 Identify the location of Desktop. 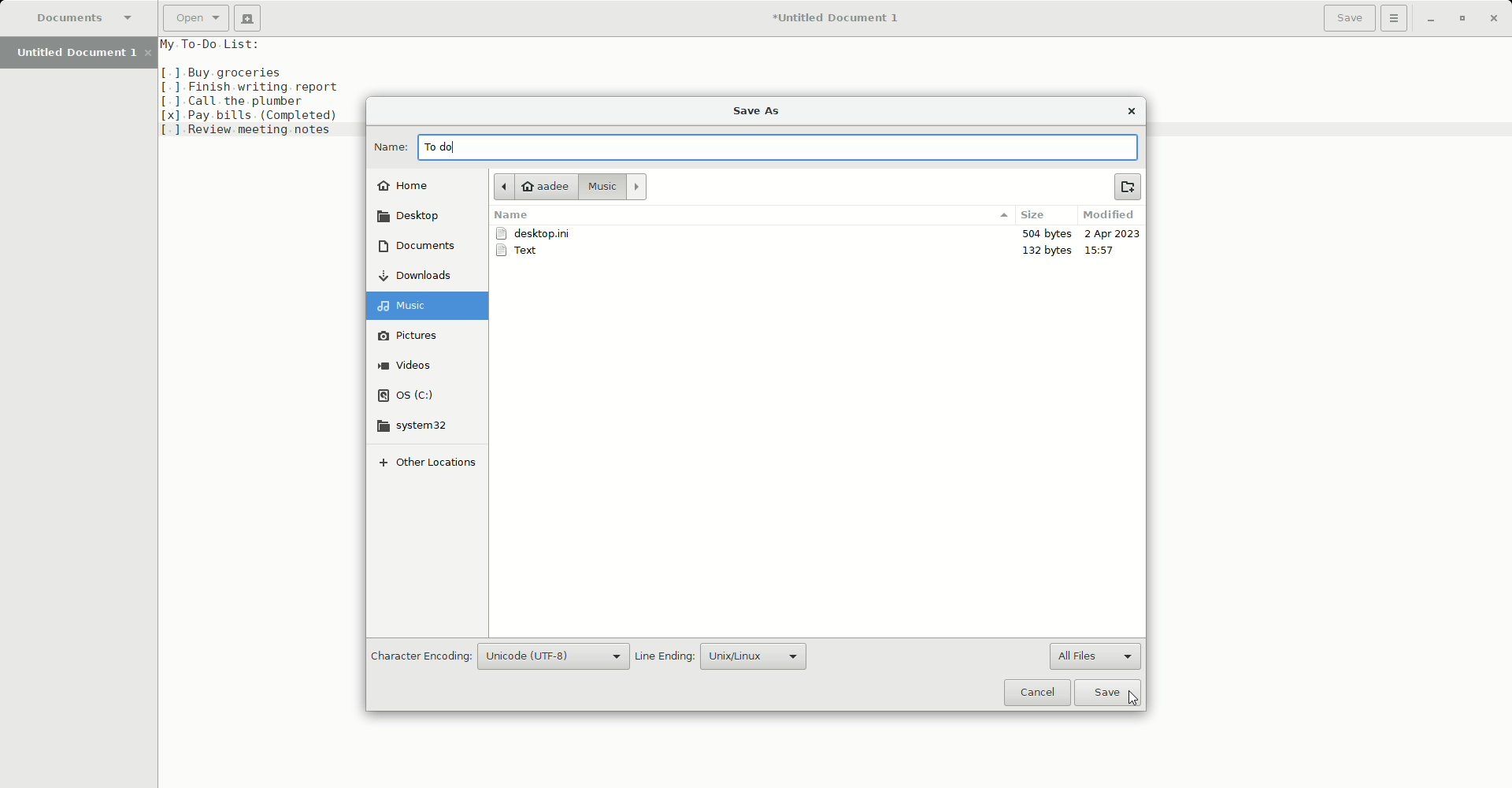
(416, 216).